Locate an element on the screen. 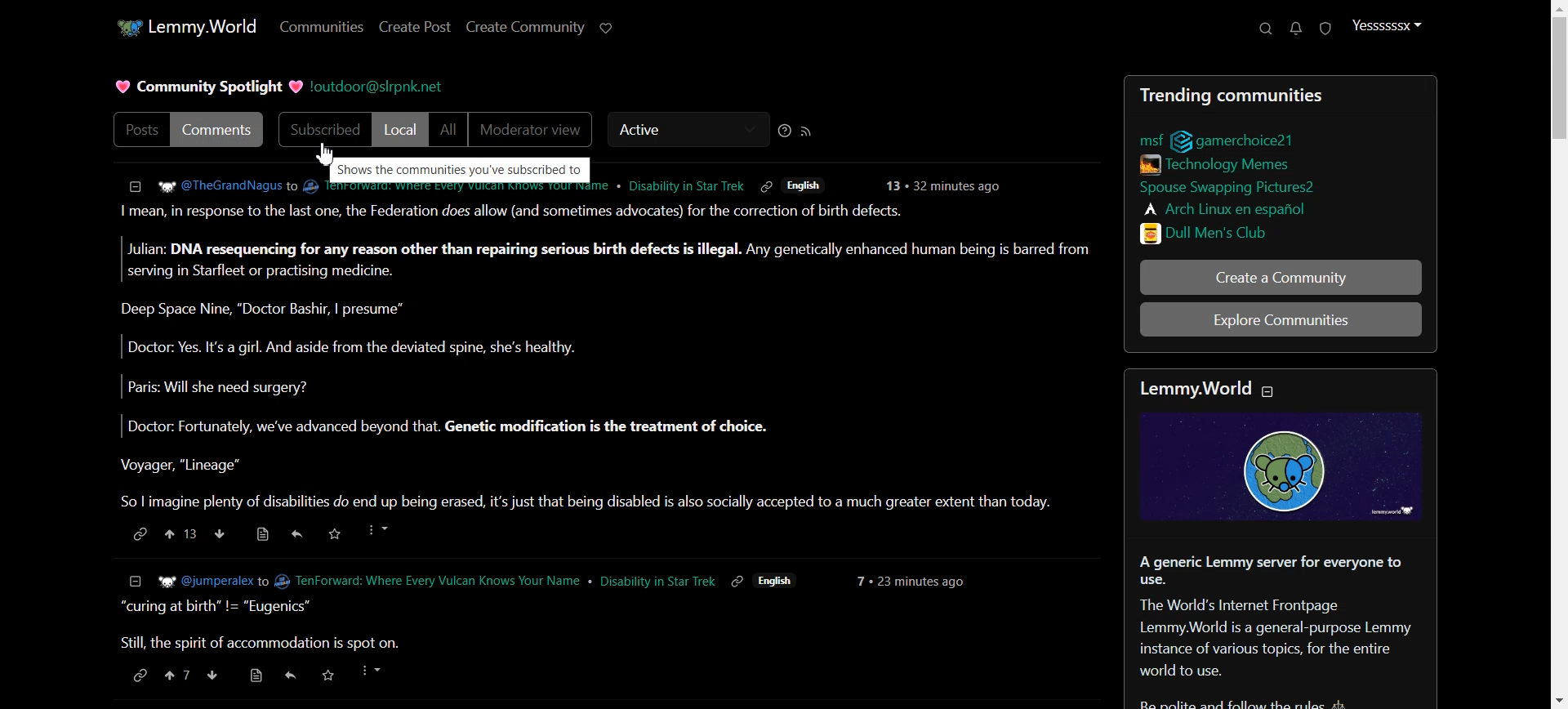  time is located at coordinates (918, 579).